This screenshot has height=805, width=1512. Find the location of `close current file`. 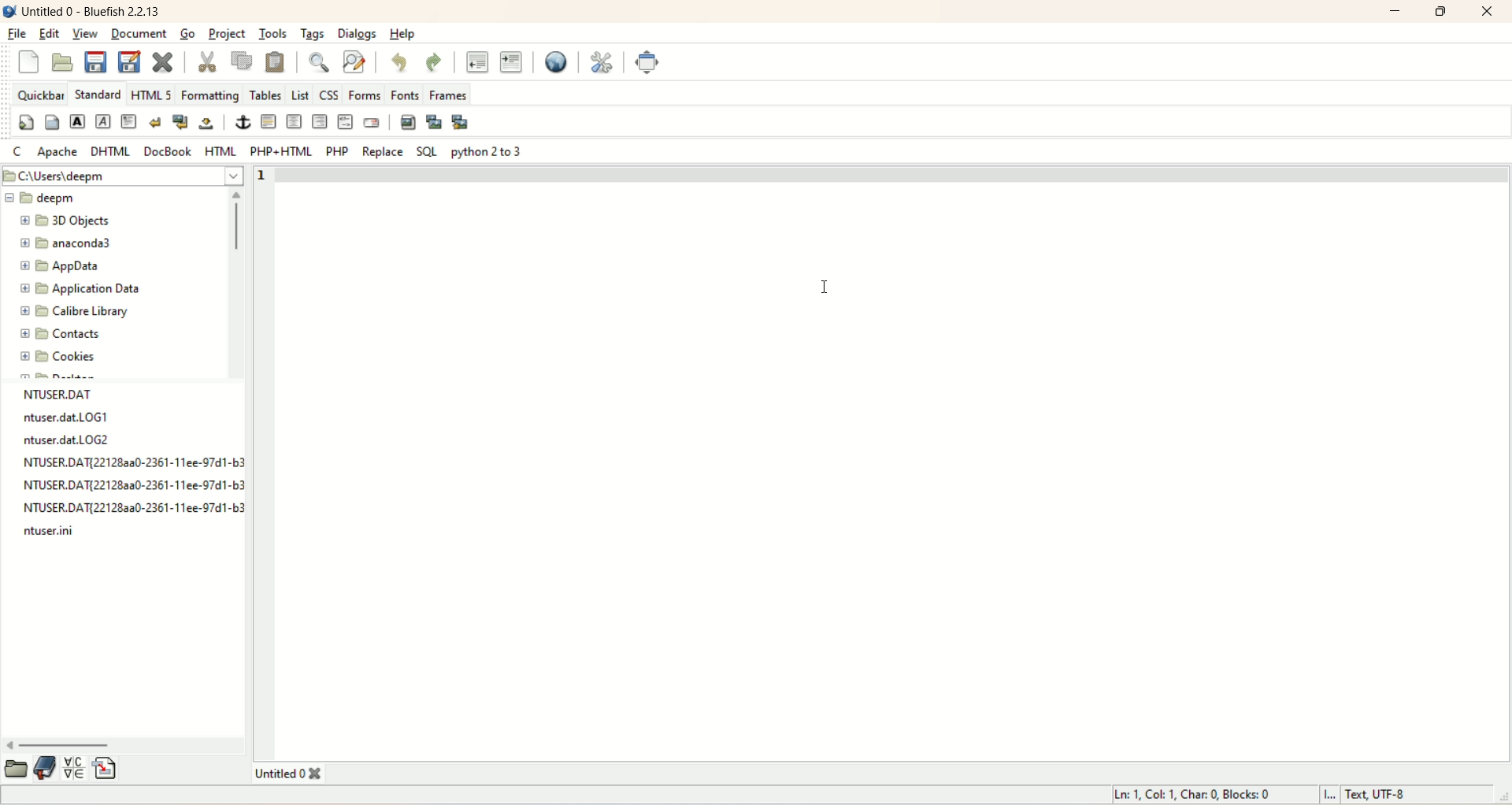

close current file is located at coordinates (162, 60).